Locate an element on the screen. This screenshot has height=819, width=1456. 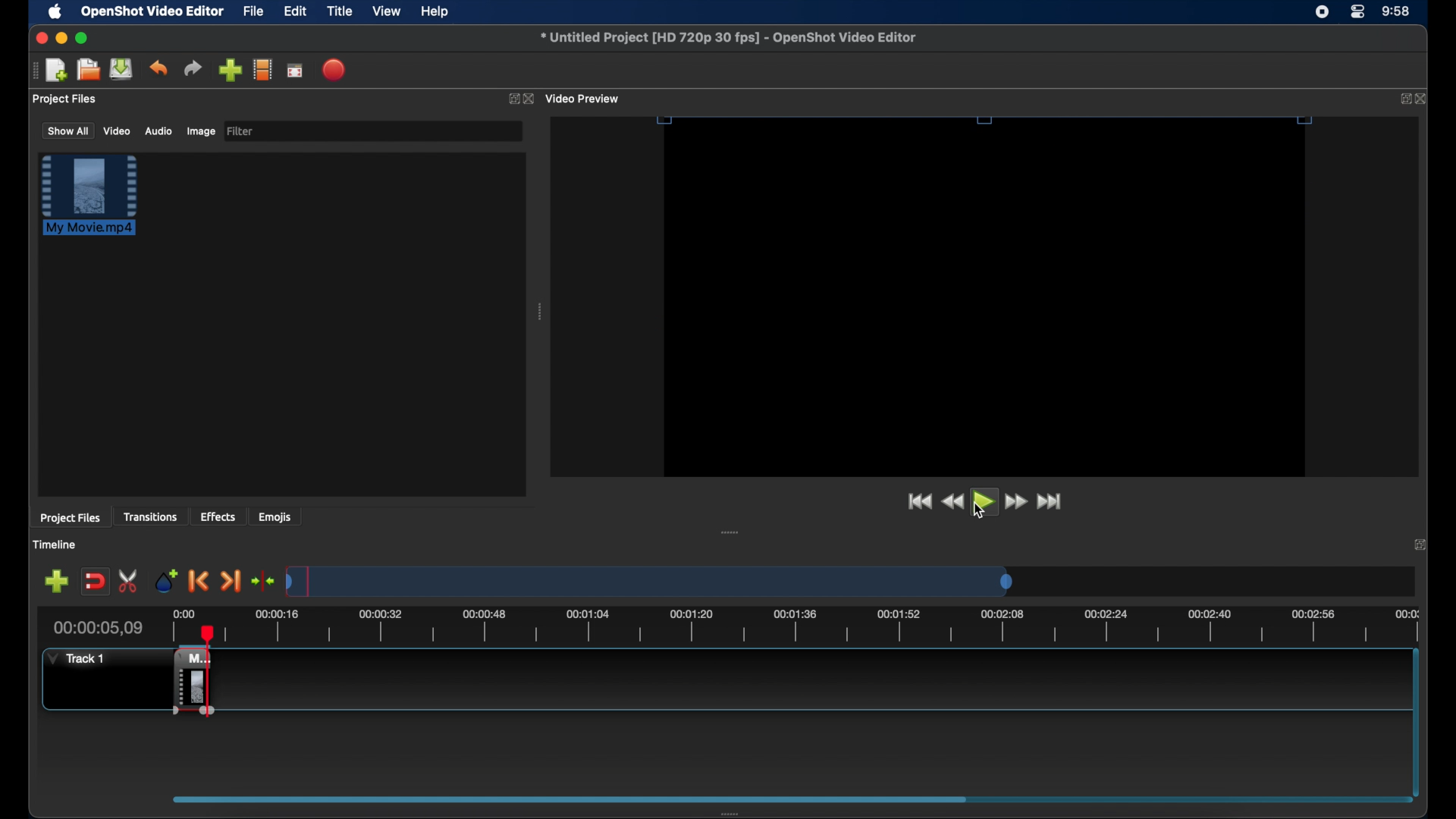
edit is located at coordinates (295, 12).